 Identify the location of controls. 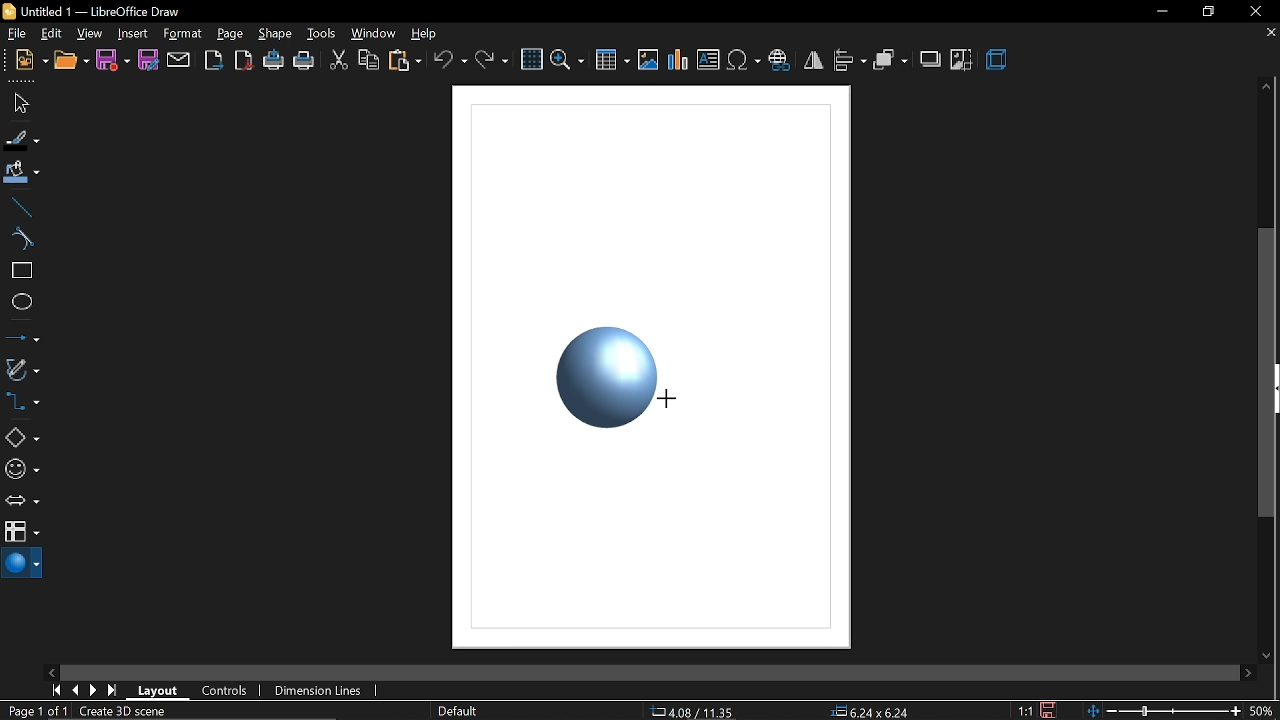
(227, 691).